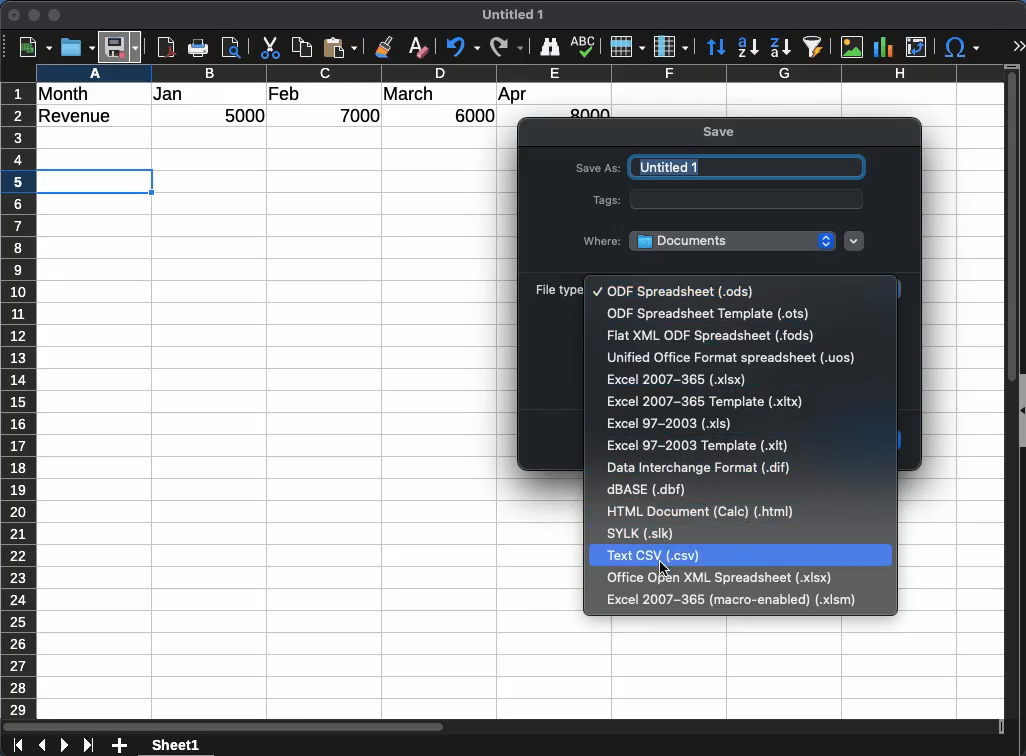 The height and width of the screenshot is (756, 1026). I want to click on text csv, so click(655, 555).